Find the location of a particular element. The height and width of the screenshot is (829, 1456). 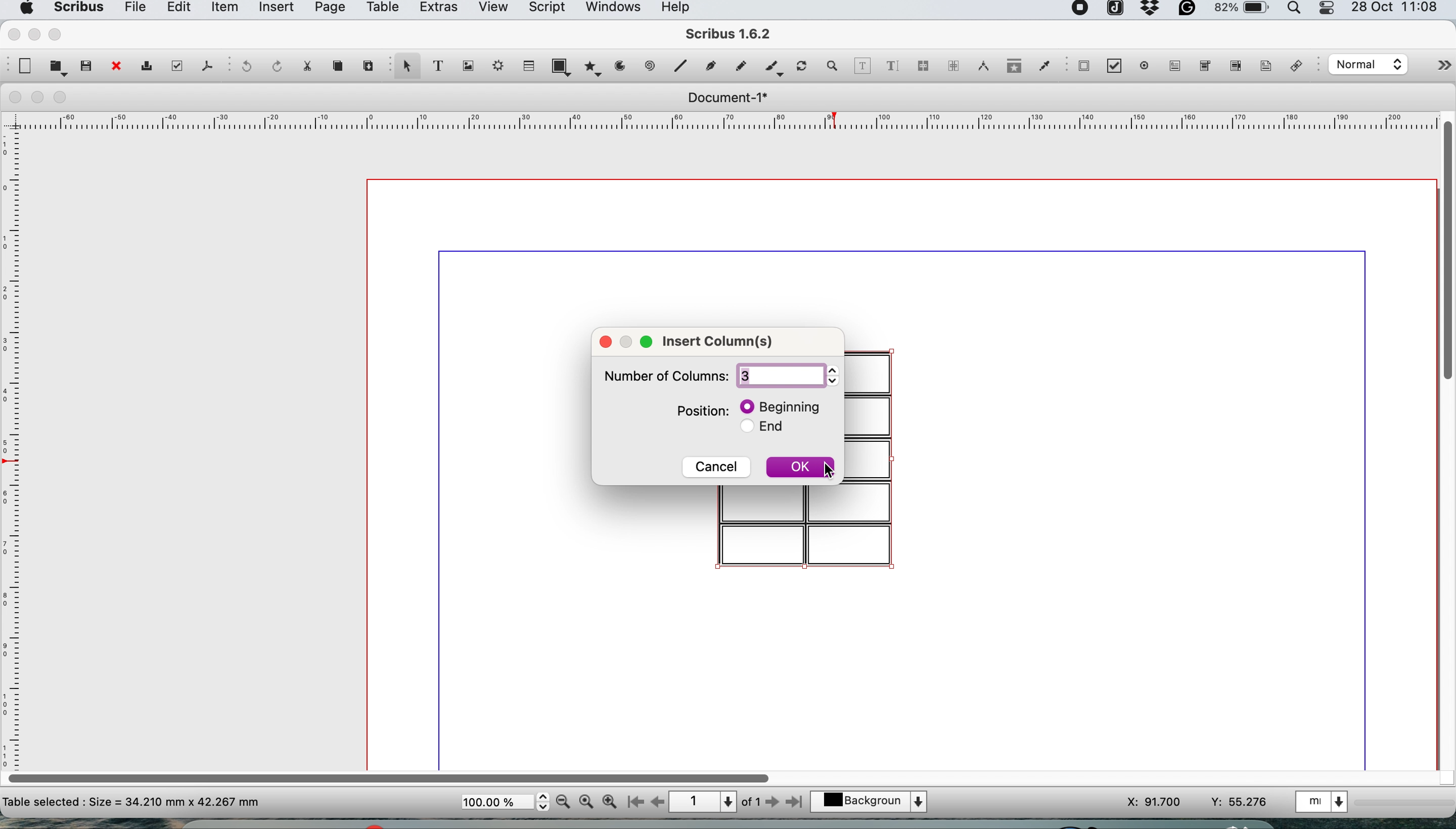

xy coordinates is located at coordinates (1197, 802).